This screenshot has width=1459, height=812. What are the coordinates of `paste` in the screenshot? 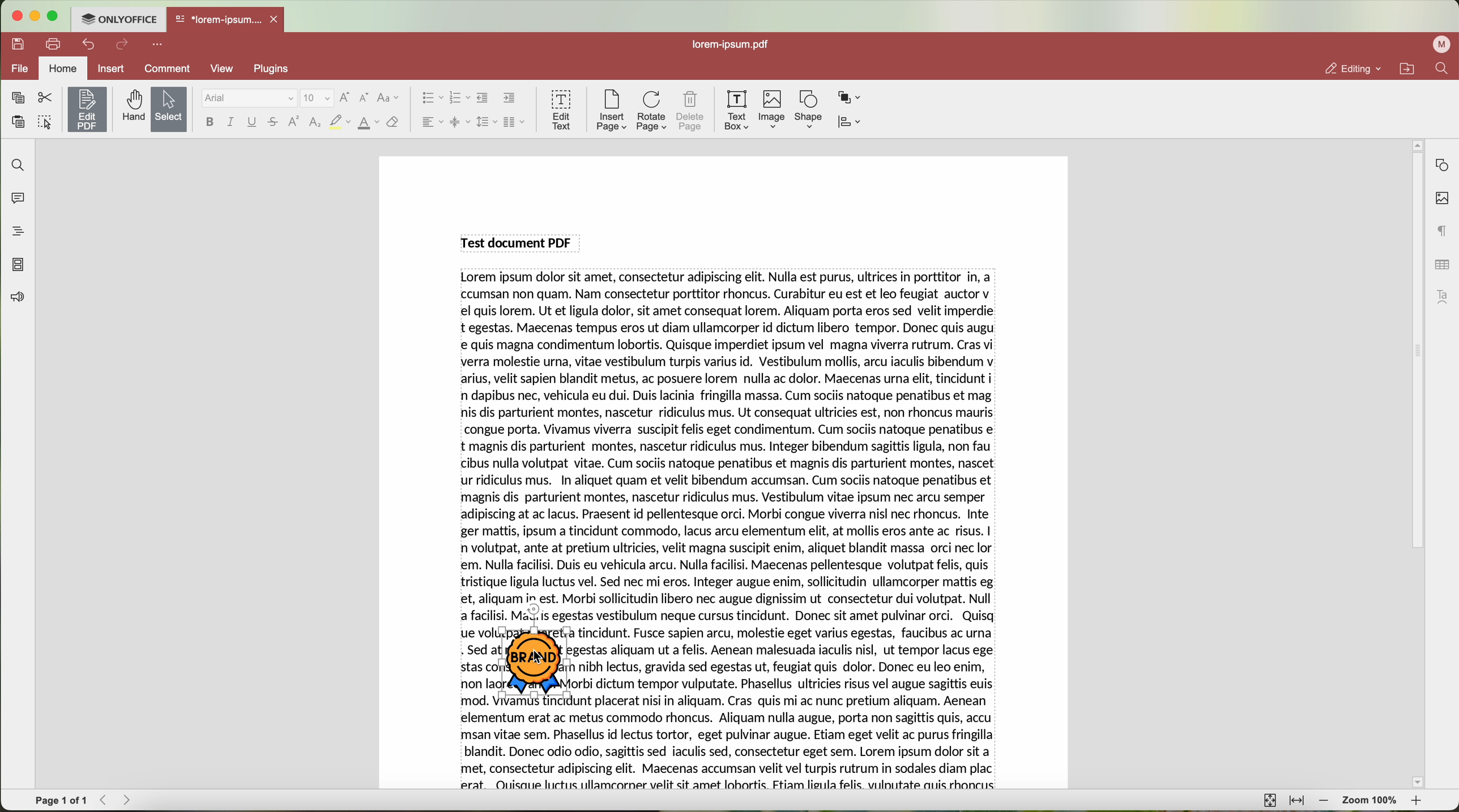 It's located at (18, 122).